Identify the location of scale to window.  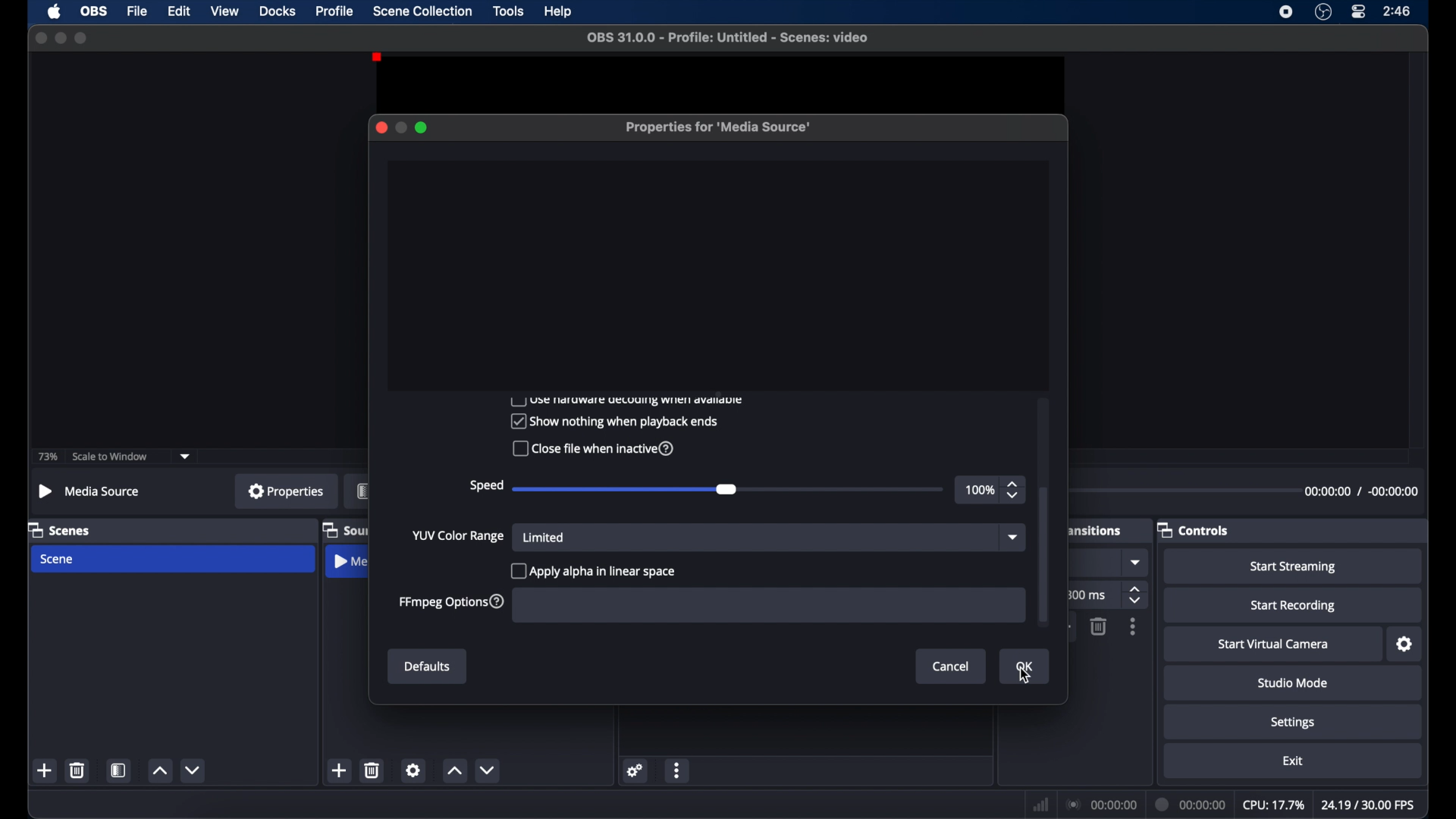
(112, 457).